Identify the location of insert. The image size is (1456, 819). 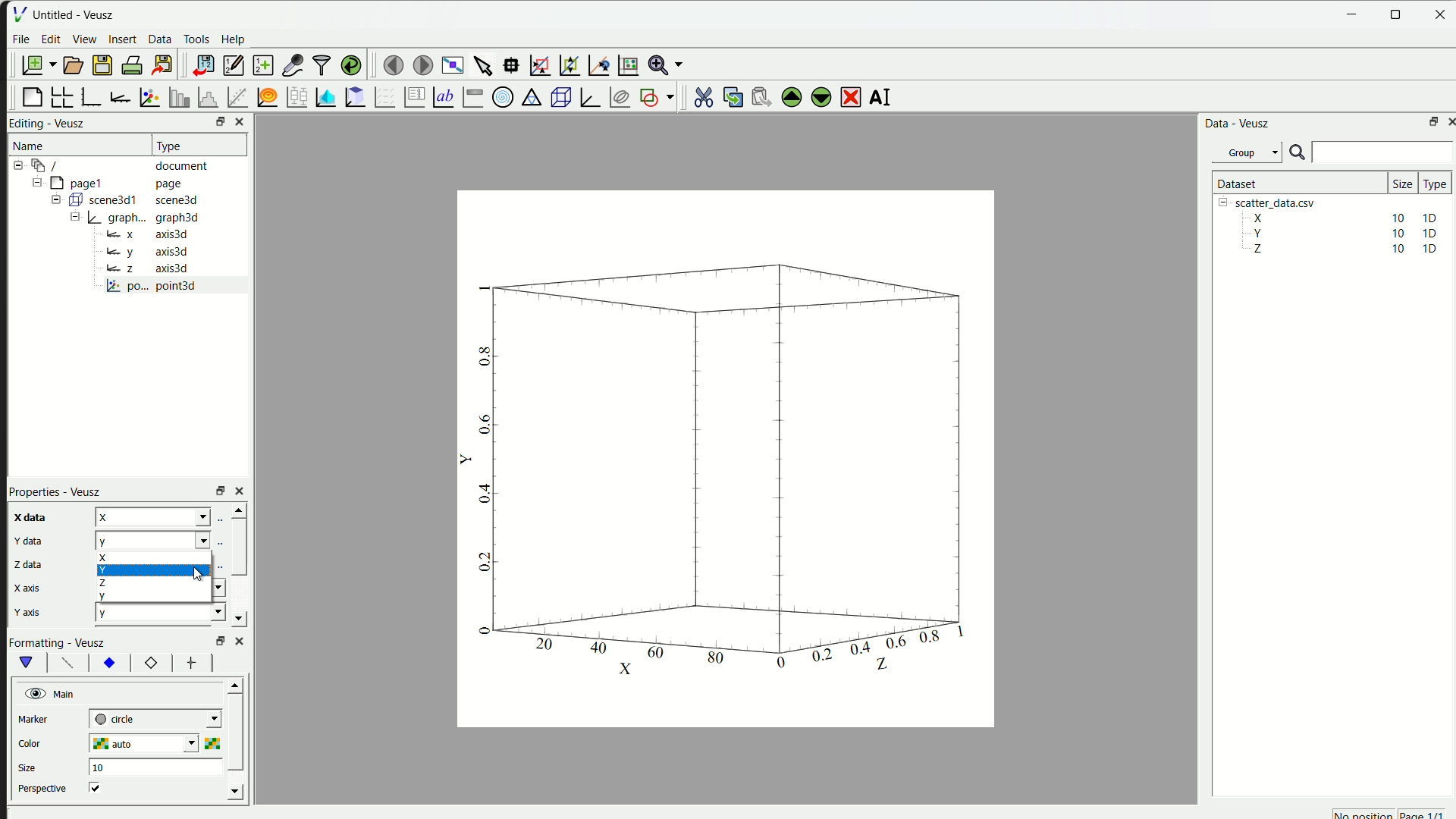
(122, 40).